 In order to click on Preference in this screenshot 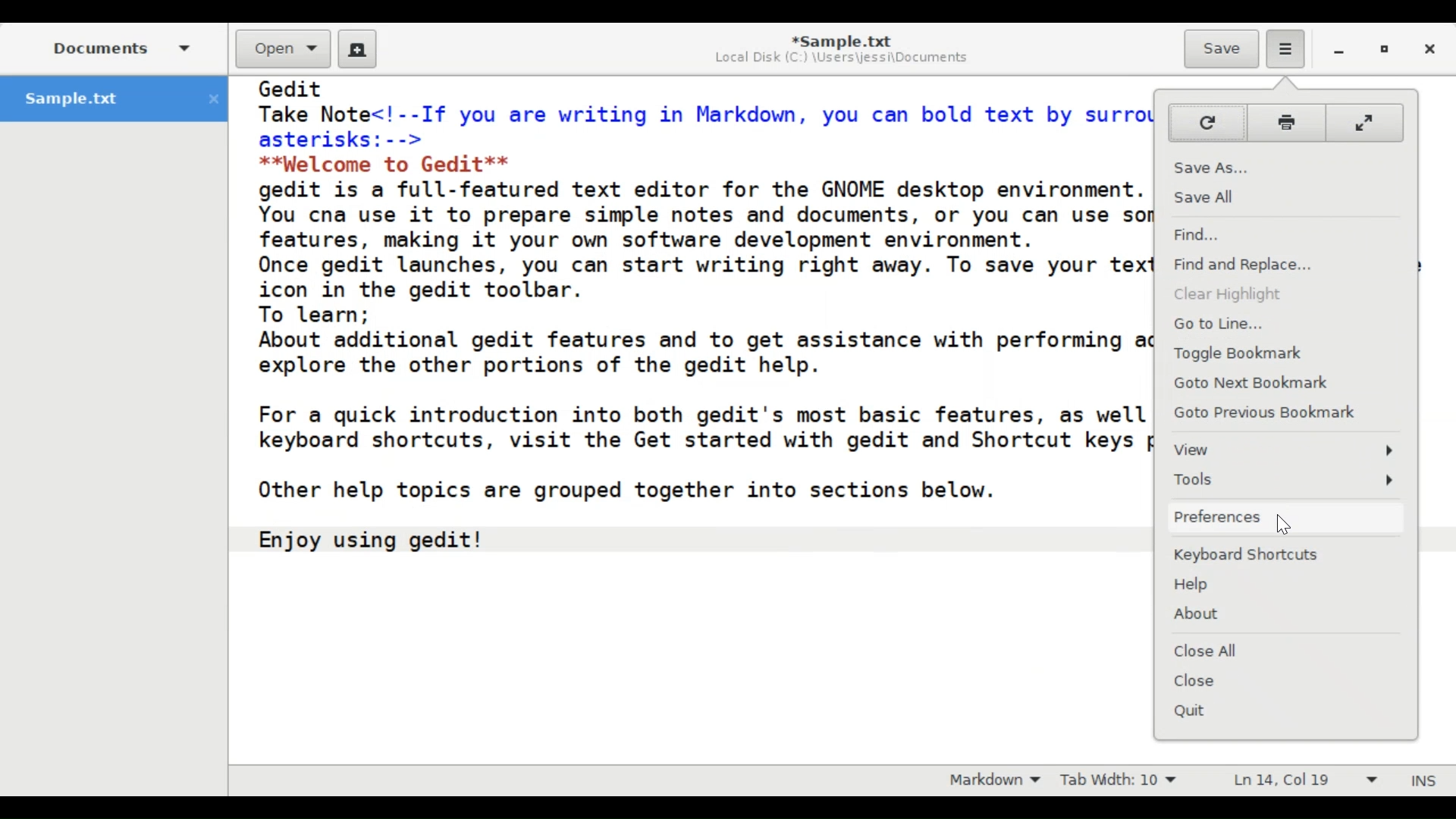, I will do `click(1281, 516)`.